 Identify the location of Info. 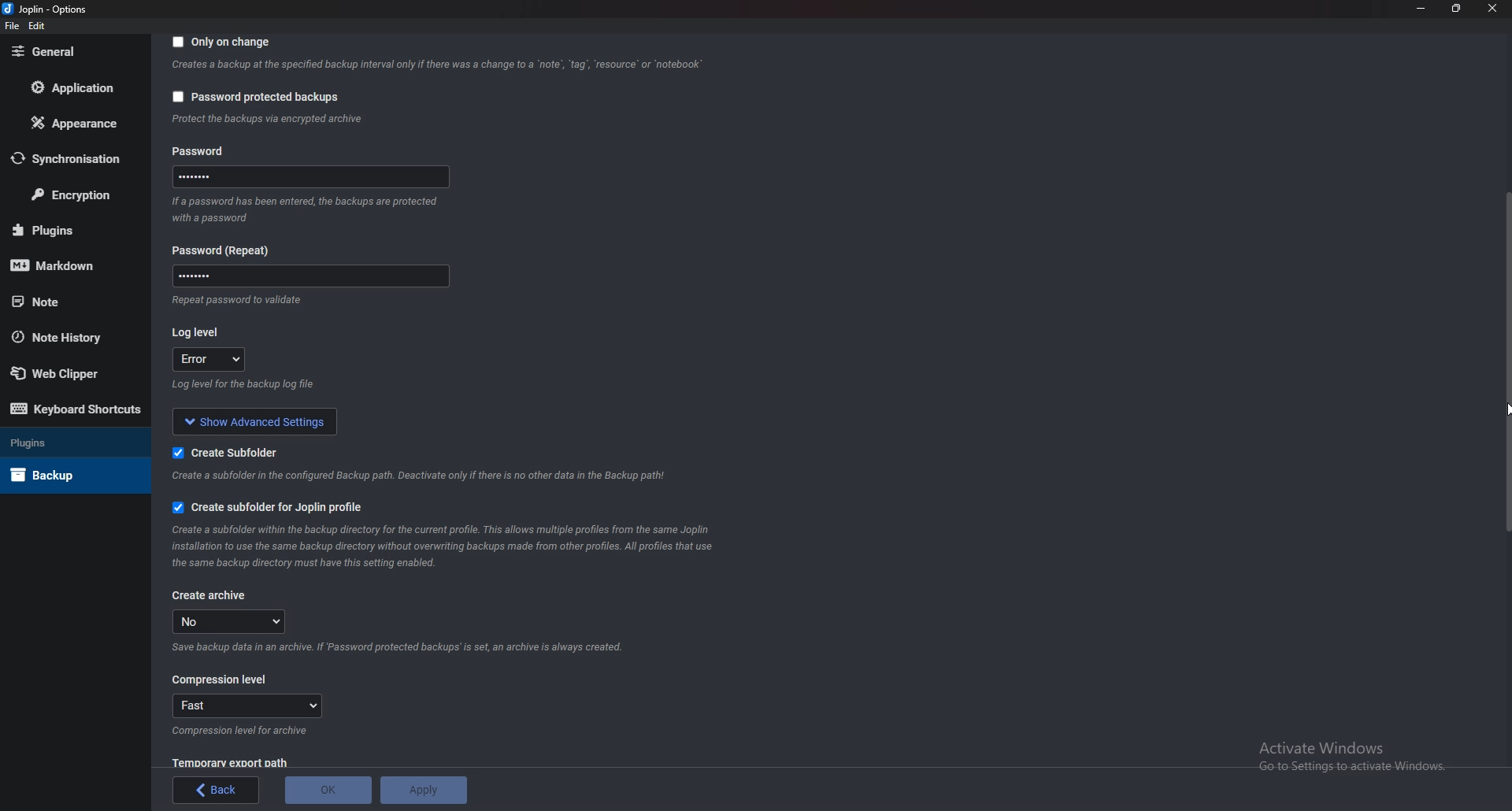
(234, 299).